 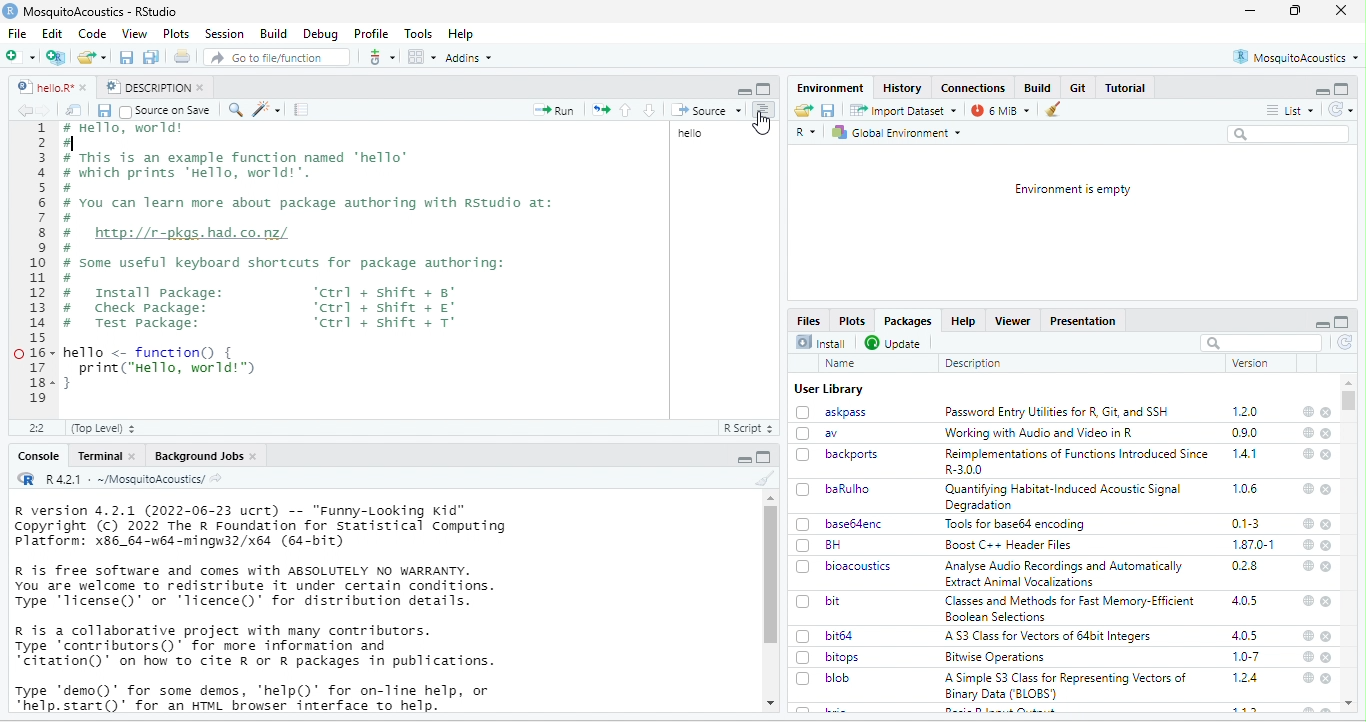 I want to click on bit64, so click(x=827, y=635).